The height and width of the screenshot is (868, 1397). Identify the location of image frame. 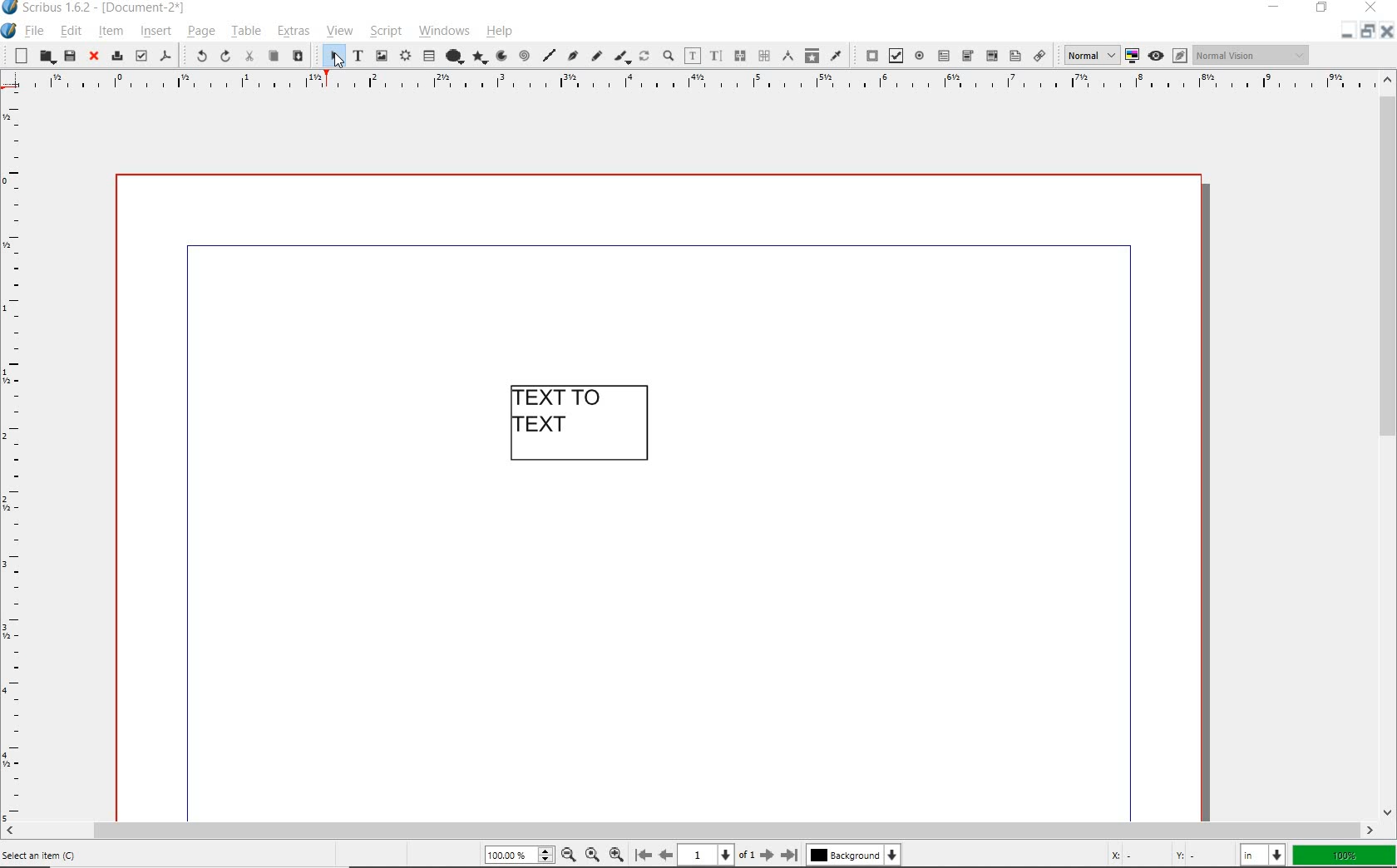
(383, 57).